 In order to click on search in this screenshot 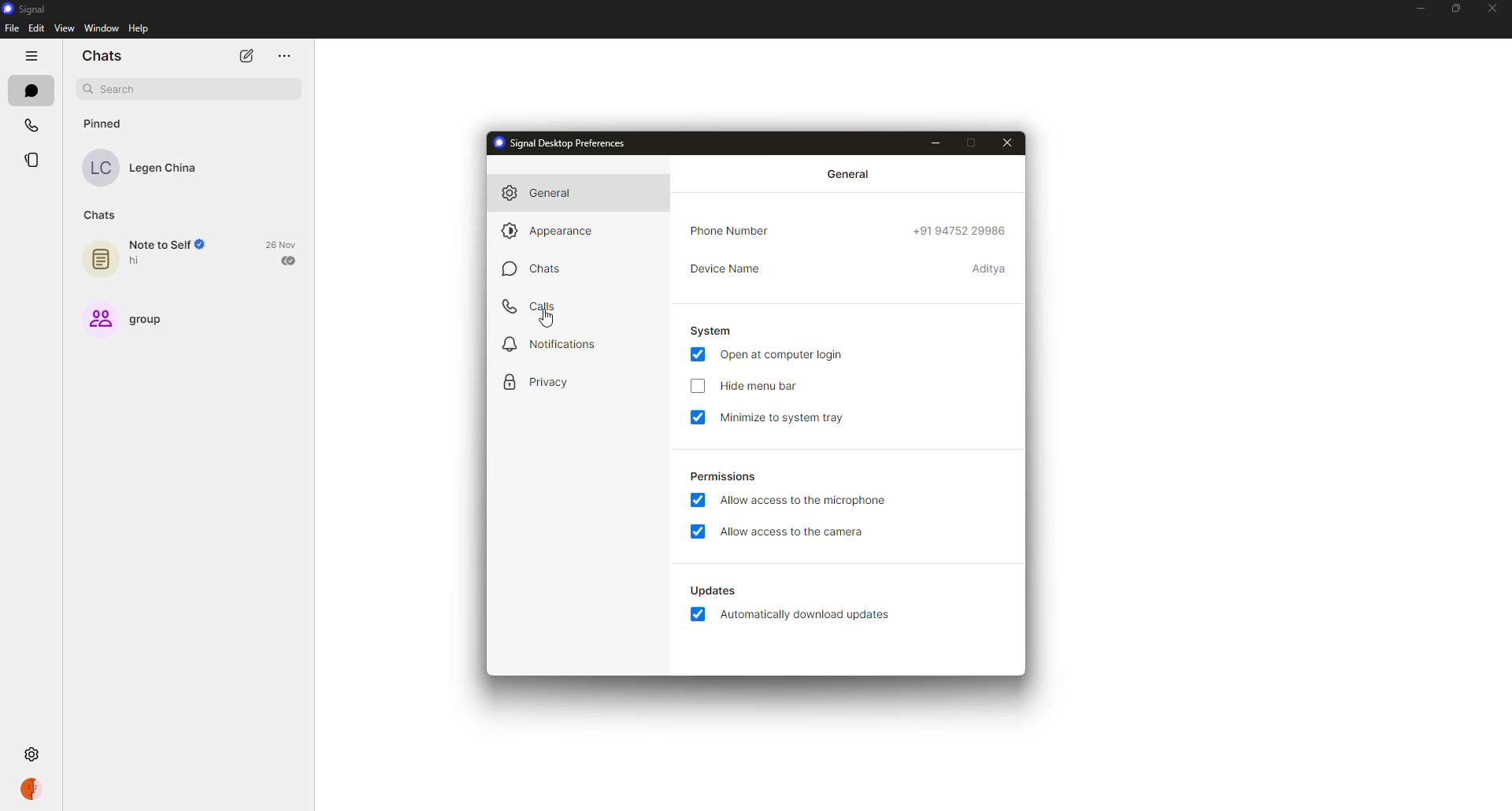, I will do `click(112, 89)`.